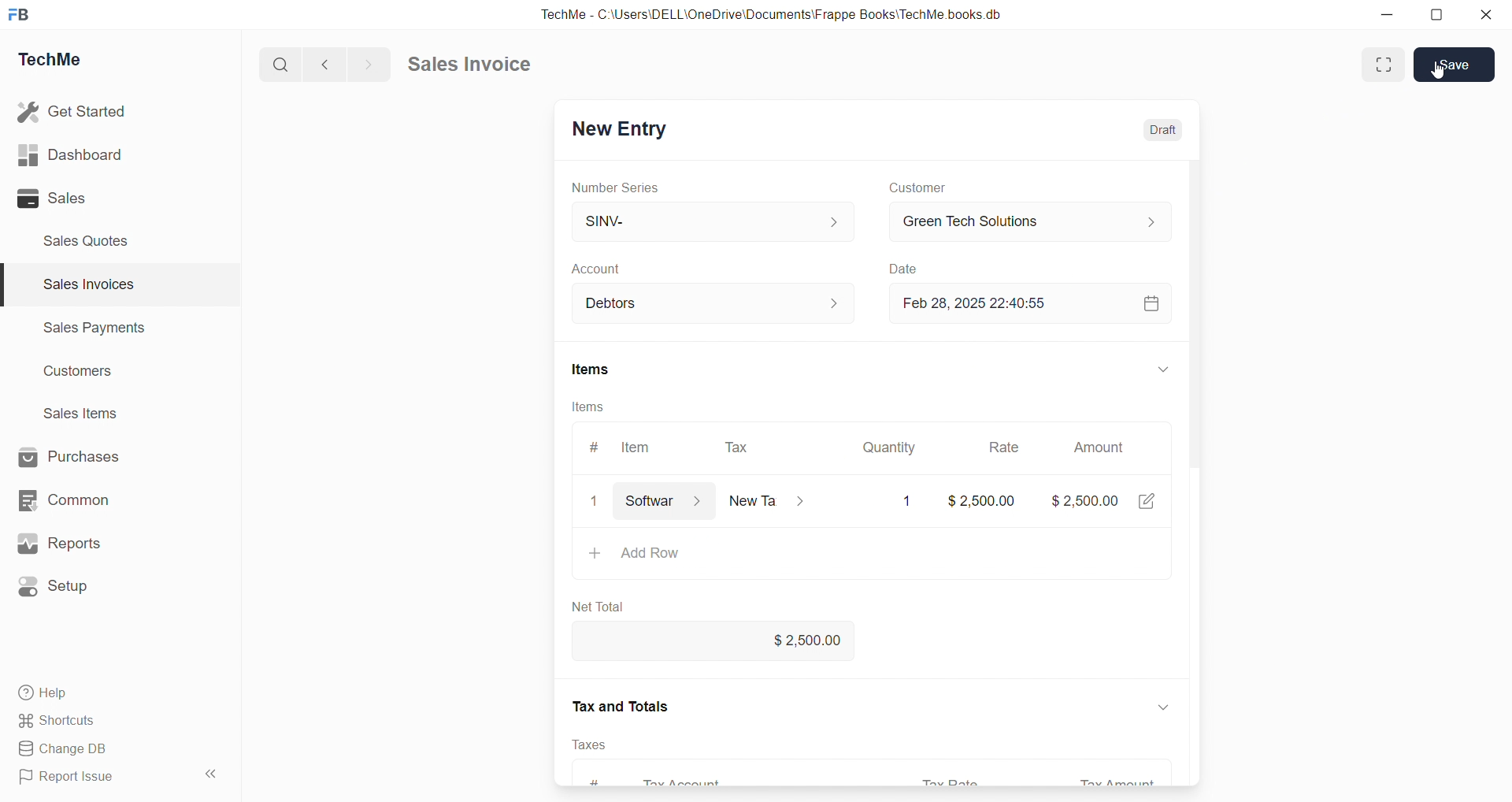 This screenshot has height=802, width=1512. Describe the element at coordinates (1099, 447) in the screenshot. I see `Amount` at that location.